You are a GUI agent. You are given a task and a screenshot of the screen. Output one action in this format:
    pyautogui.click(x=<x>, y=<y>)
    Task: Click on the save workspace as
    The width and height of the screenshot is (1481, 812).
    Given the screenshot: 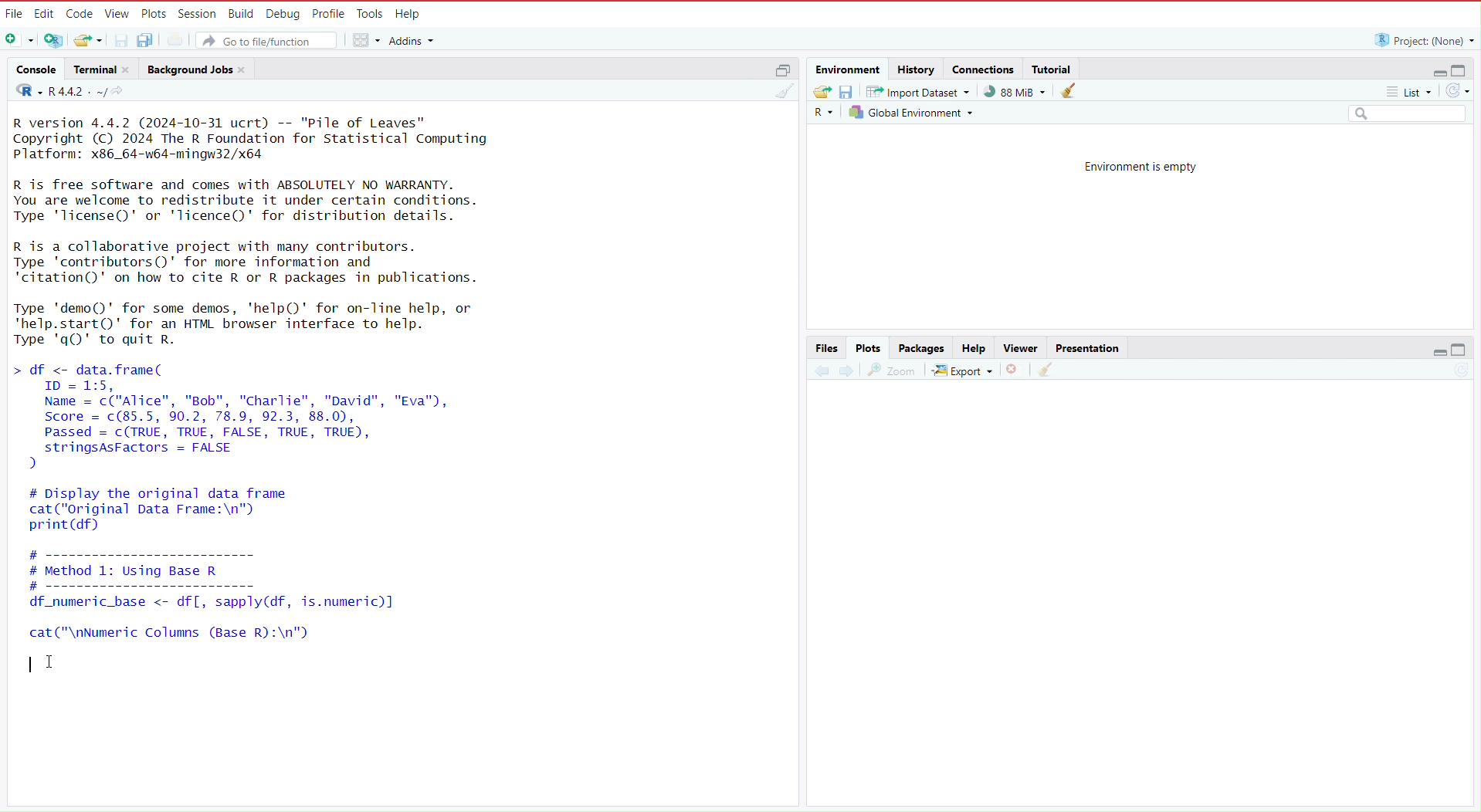 What is the action you would take?
    pyautogui.click(x=849, y=93)
    